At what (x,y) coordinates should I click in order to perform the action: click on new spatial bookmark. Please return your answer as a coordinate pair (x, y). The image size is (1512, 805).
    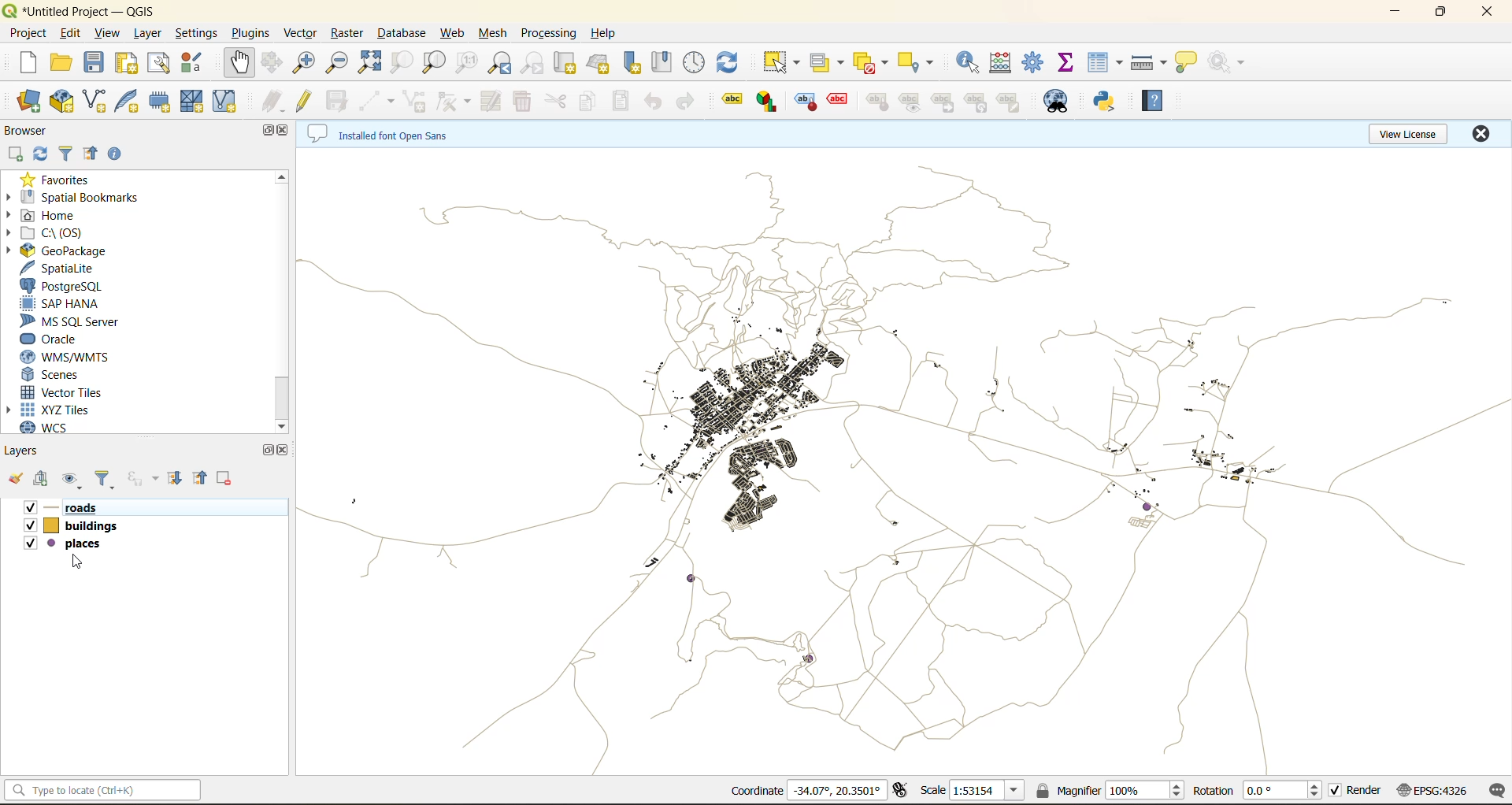
    Looking at the image, I should click on (637, 61).